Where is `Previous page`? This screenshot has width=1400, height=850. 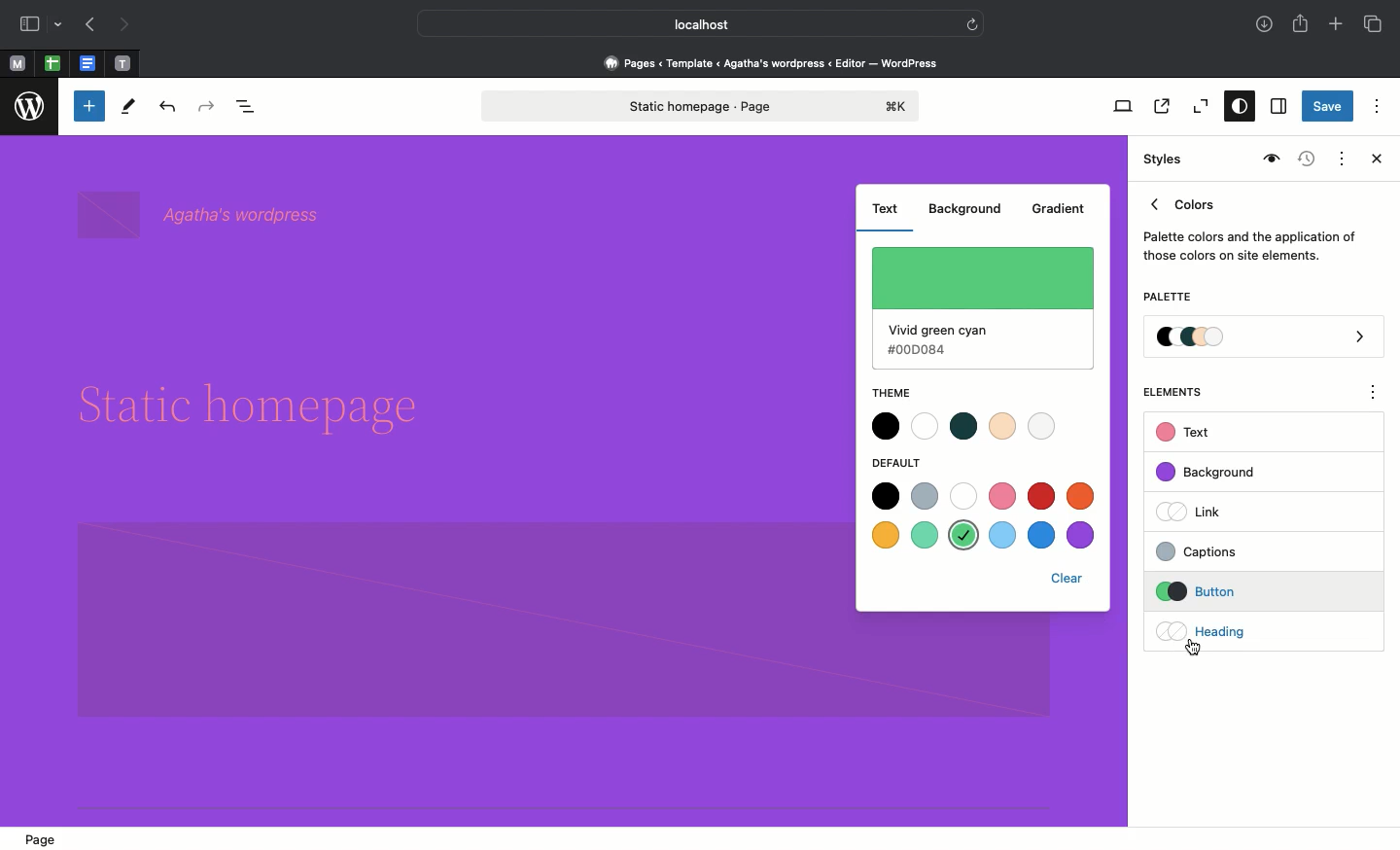
Previous page is located at coordinates (88, 26).